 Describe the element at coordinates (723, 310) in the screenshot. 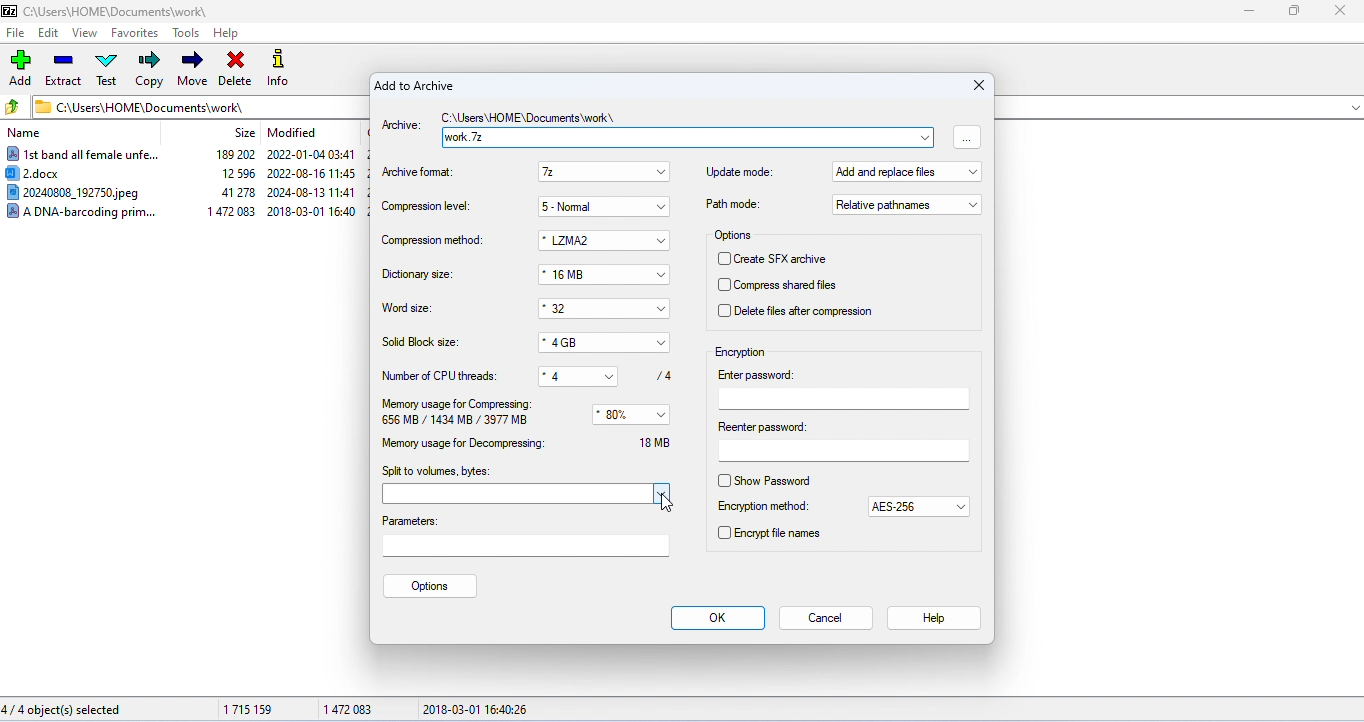

I see `checkbox` at that location.